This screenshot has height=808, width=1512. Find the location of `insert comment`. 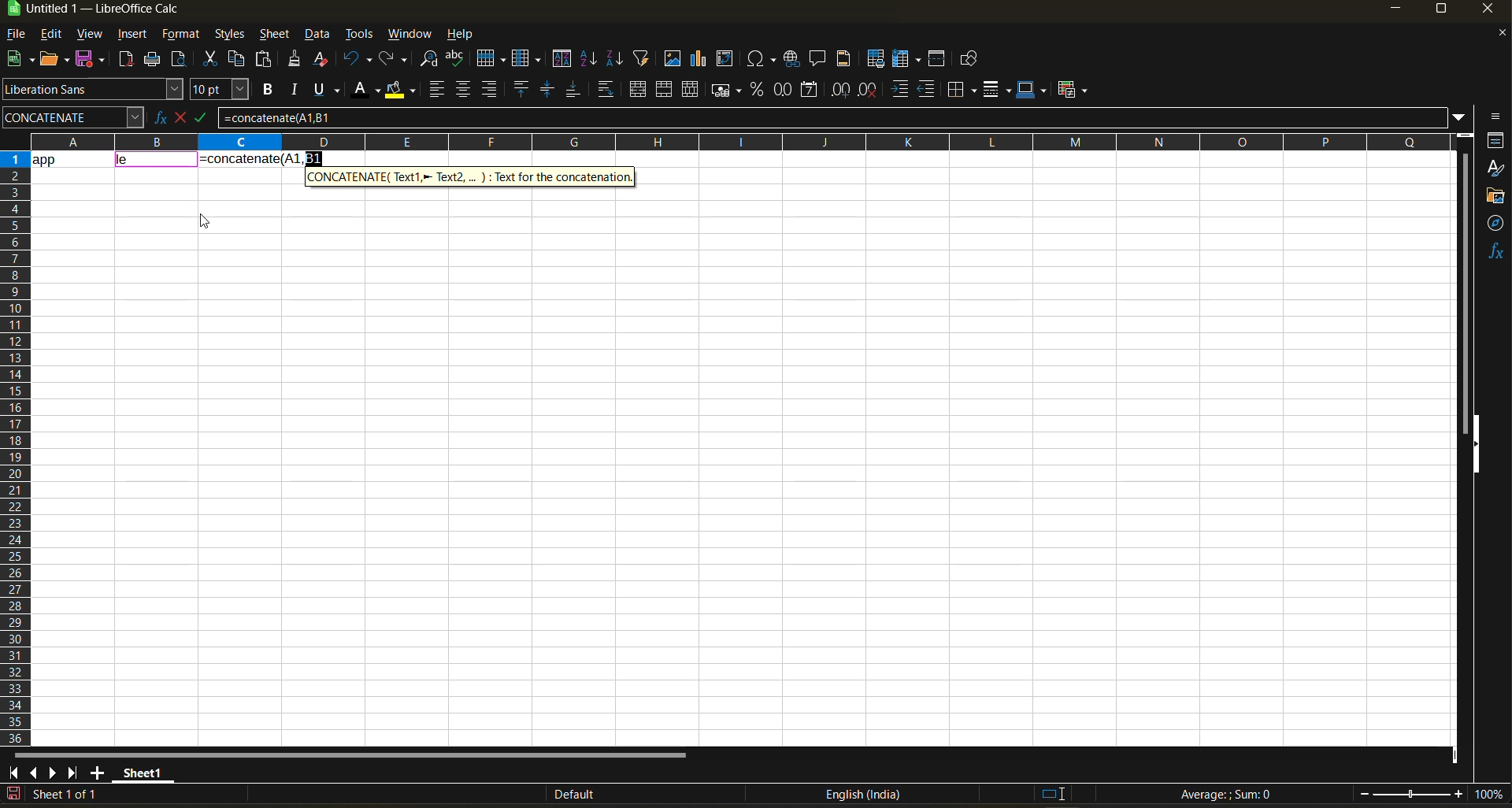

insert comment is located at coordinates (818, 59).